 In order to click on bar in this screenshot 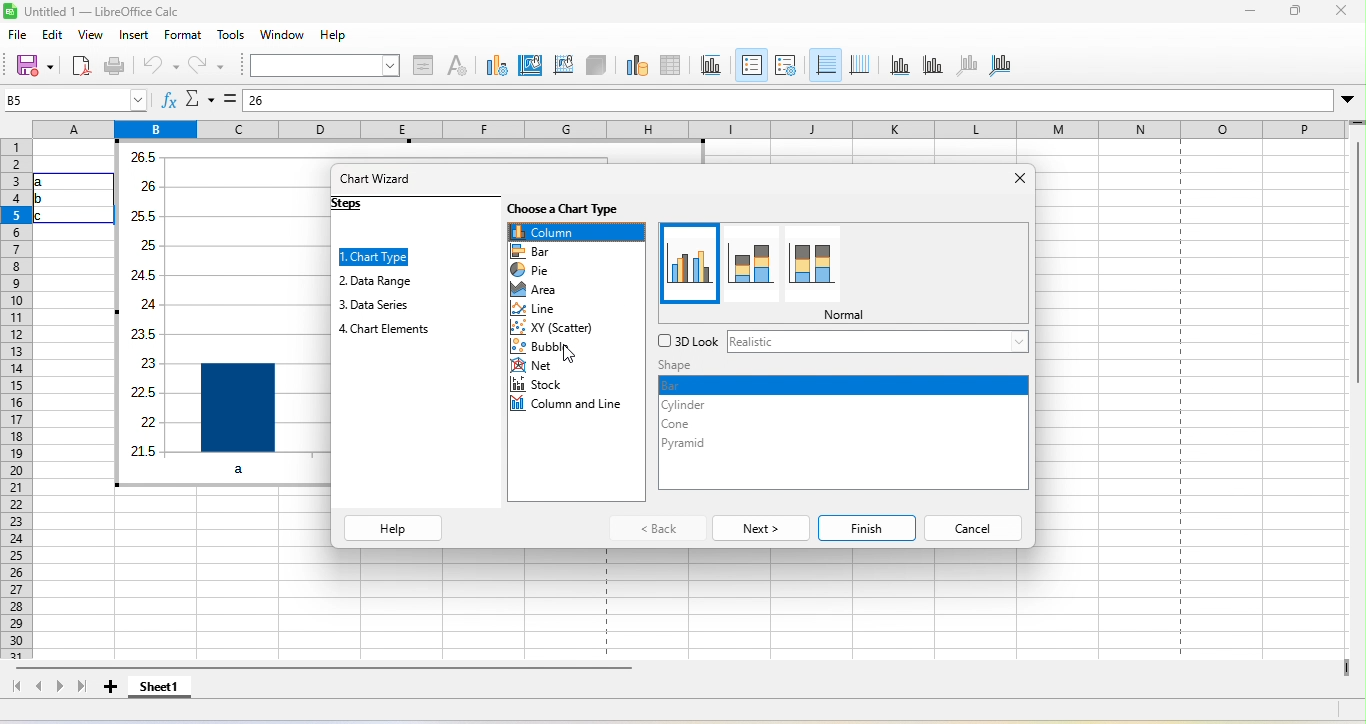, I will do `click(544, 250)`.